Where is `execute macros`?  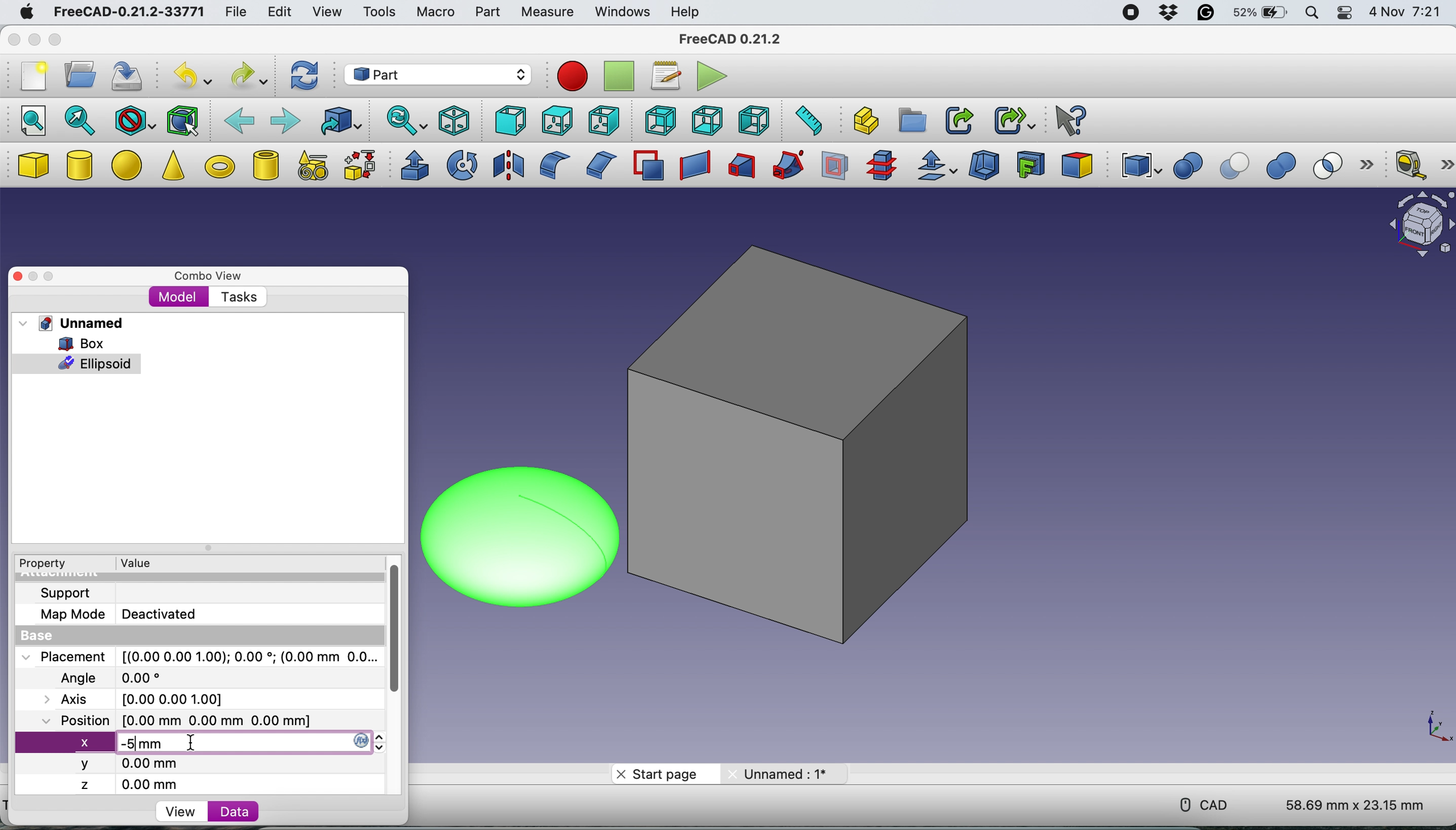 execute macros is located at coordinates (710, 78).